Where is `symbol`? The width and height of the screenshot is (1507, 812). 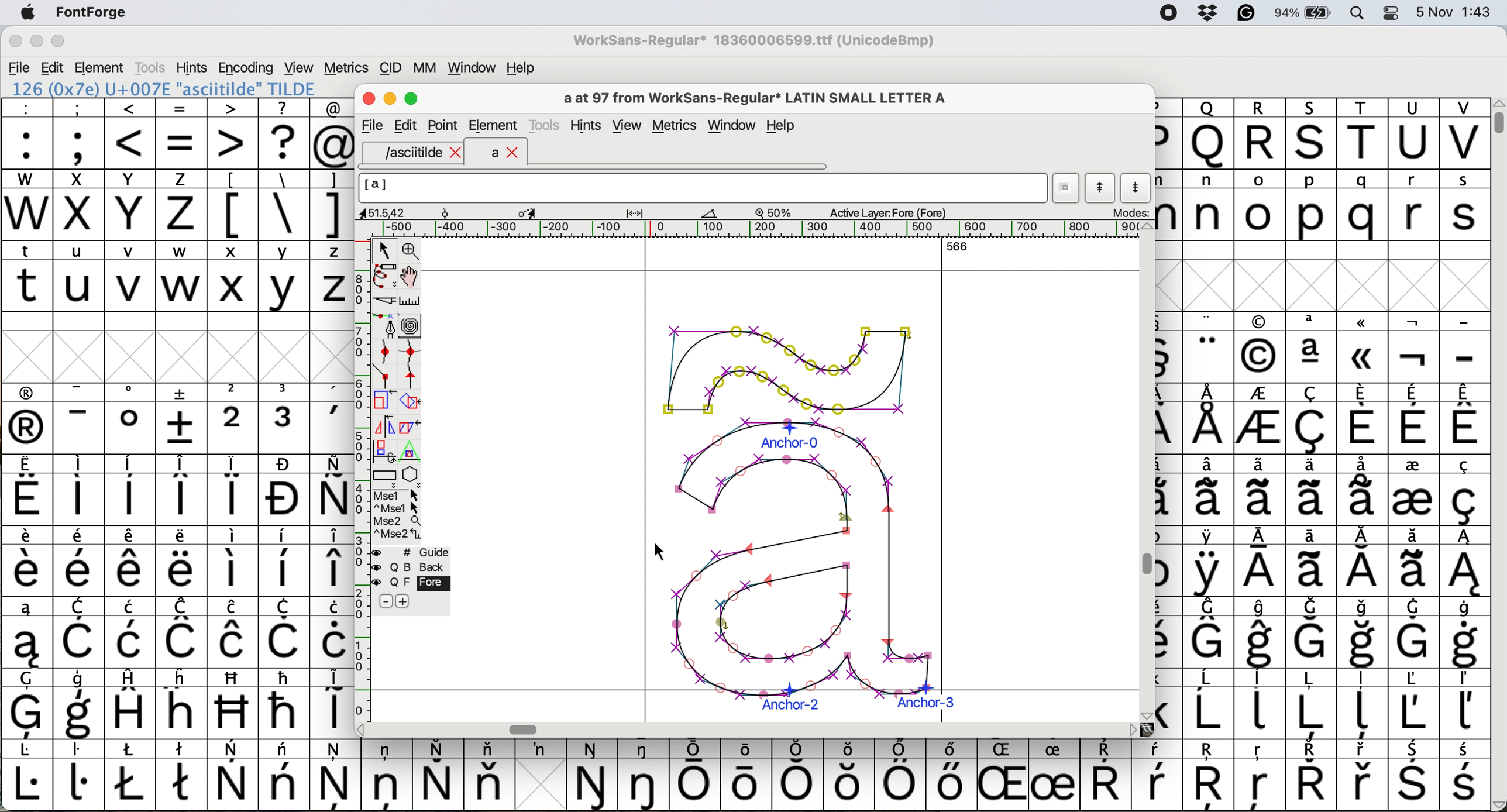
symbol is located at coordinates (1262, 633).